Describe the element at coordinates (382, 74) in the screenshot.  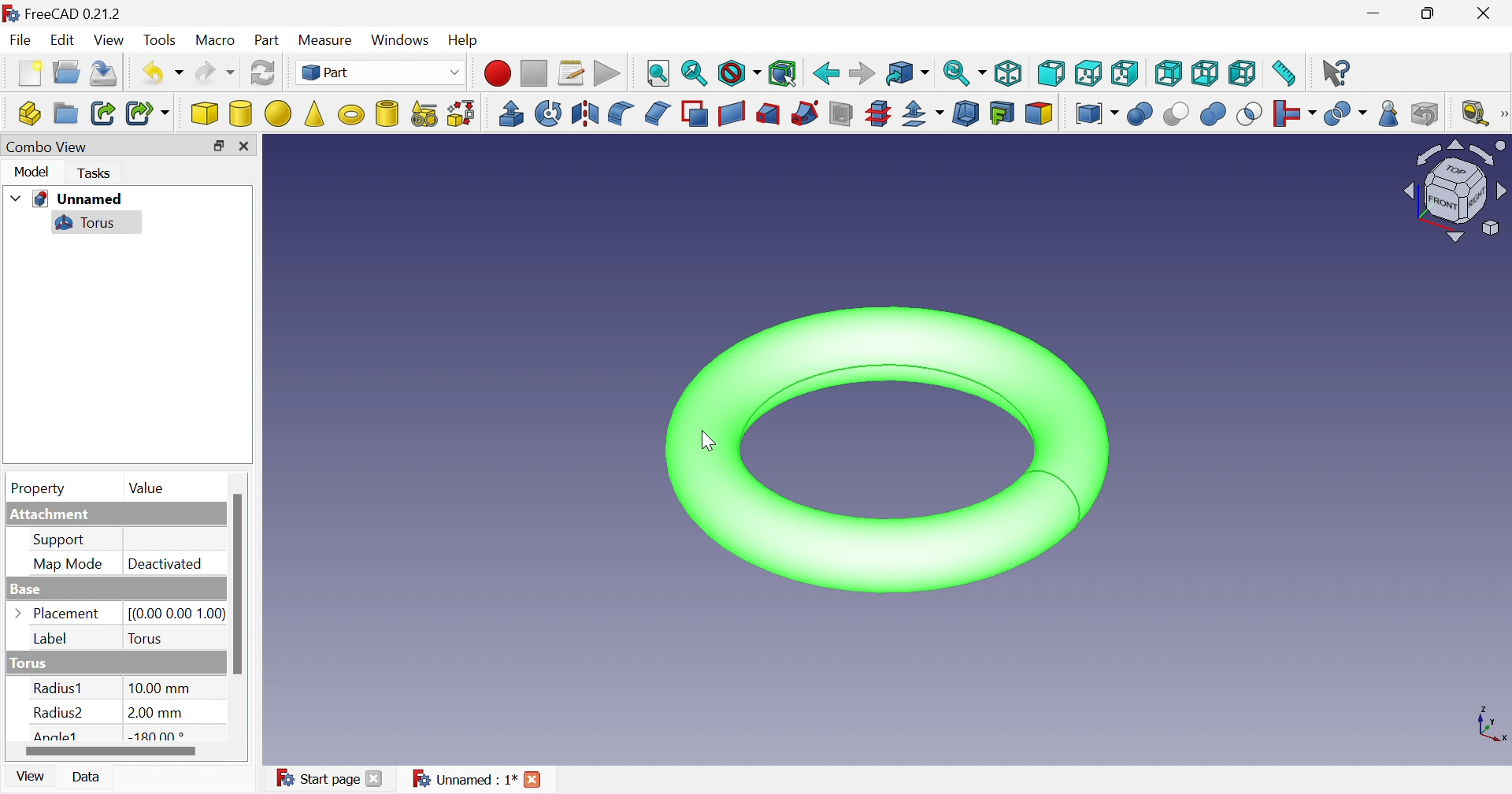
I see `Part` at that location.